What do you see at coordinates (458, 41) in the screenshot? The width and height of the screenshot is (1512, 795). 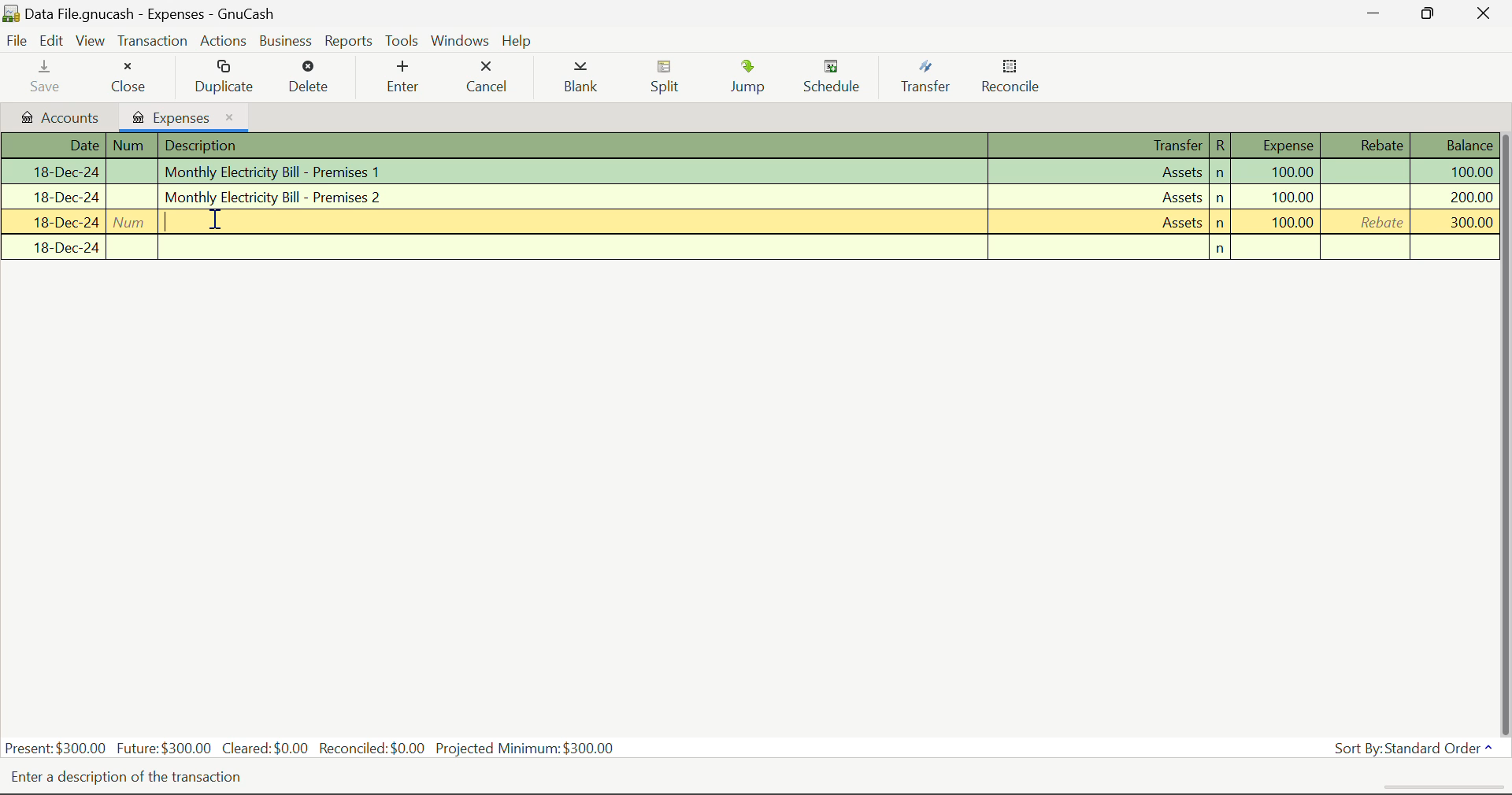 I see `Windows` at bounding box center [458, 41].